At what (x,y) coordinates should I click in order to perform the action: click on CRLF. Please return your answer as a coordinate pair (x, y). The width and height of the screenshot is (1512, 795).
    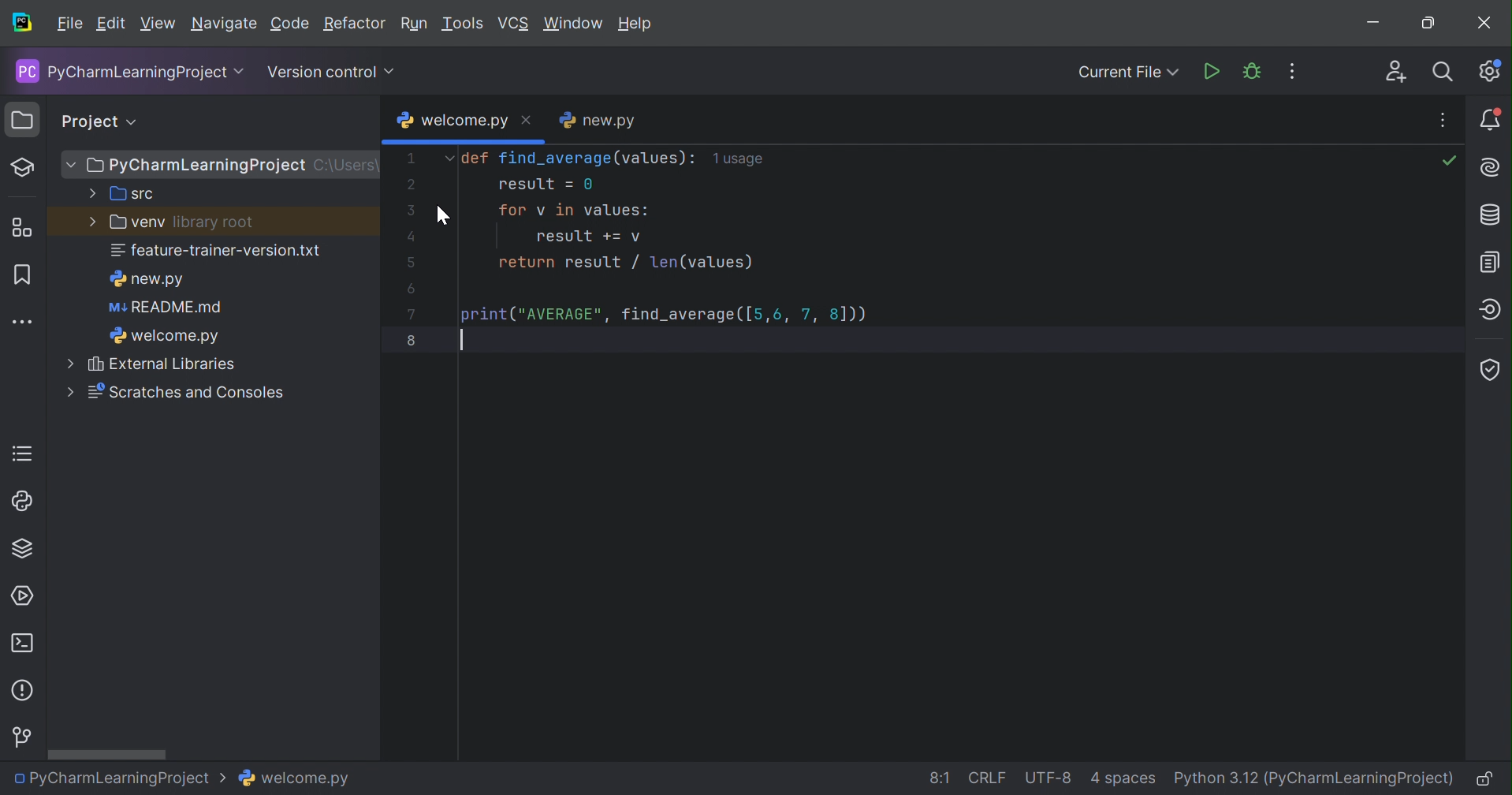
    Looking at the image, I should click on (988, 775).